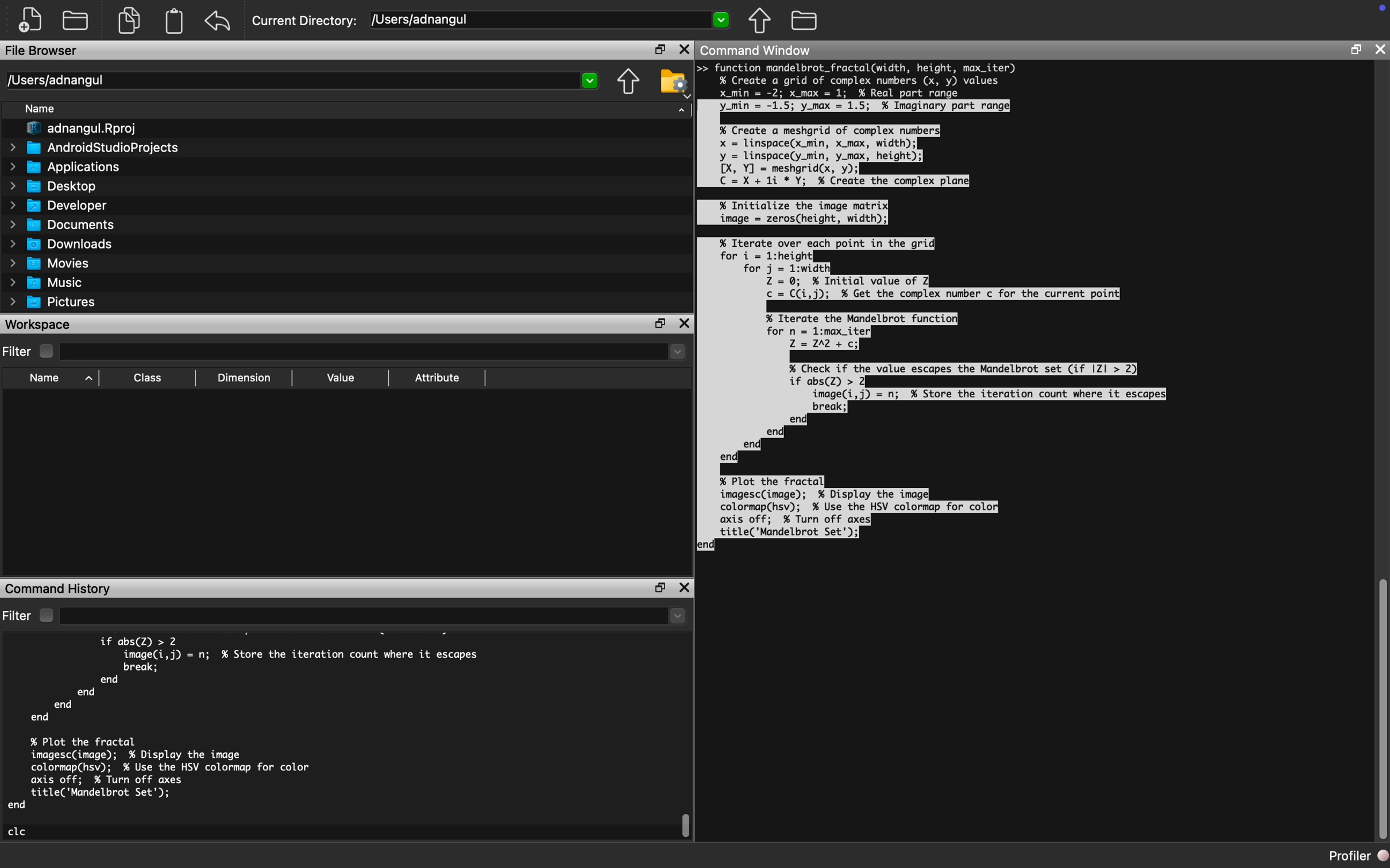 Image resolution: width=1390 pixels, height=868 pixels. Describe the element at coordinates (129, 19) in the screenshot. I see `Copy` at that location.